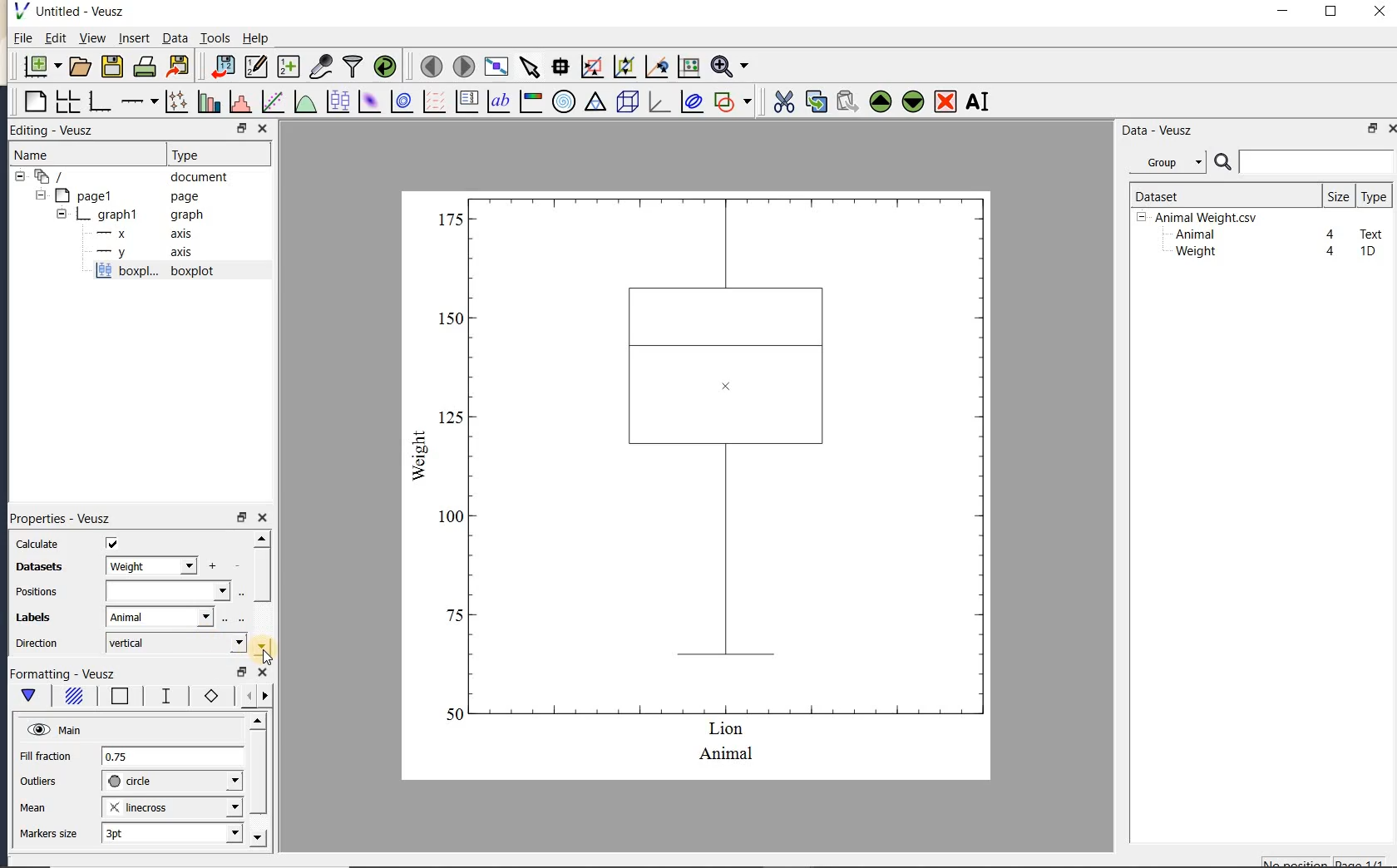 This screenshot has height=868, width=1397. Describe the element at coordinates (112, 543) in the screenshot. I see `check/uncheck` at that location.